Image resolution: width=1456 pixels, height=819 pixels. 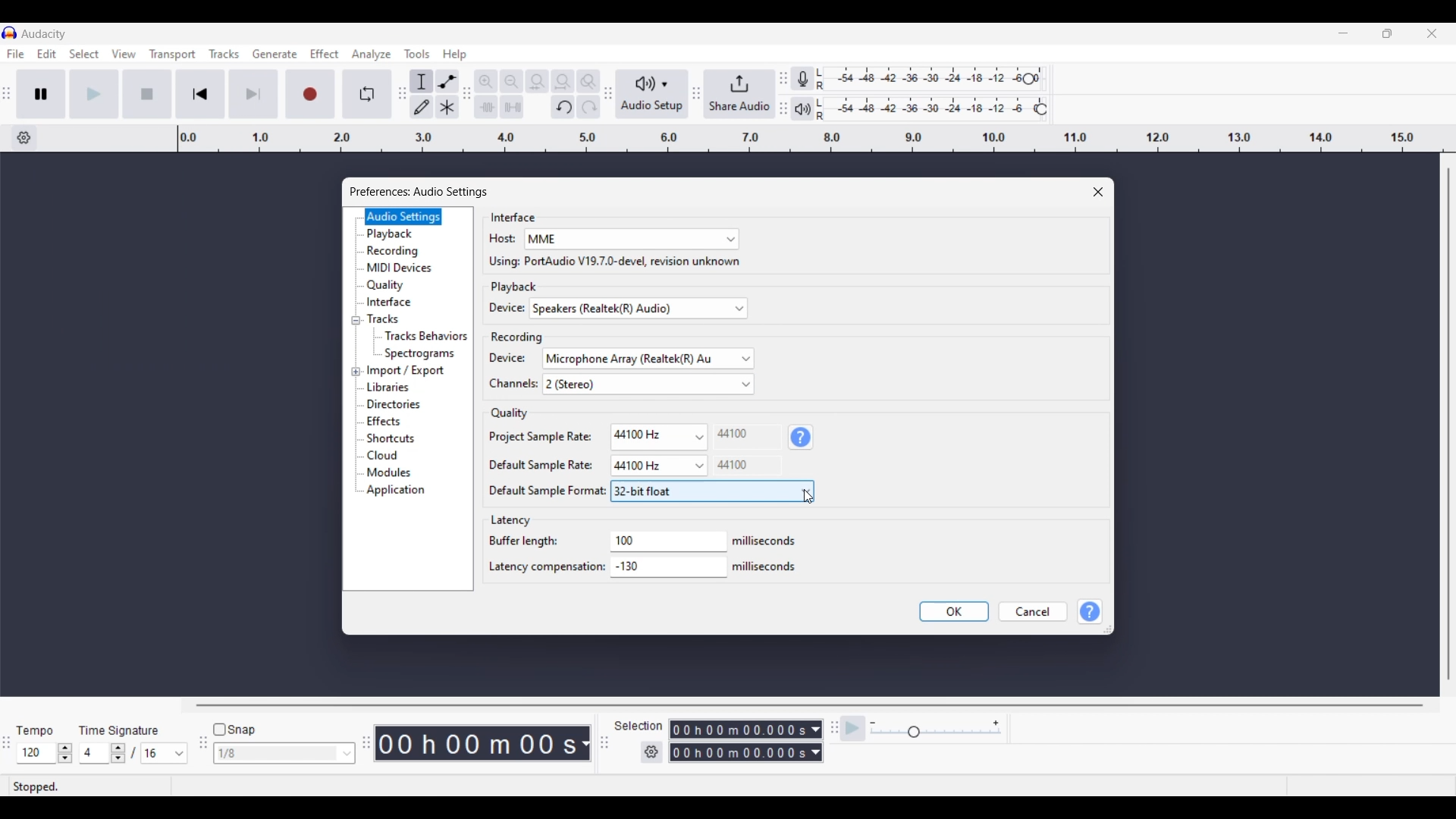 I want to click on Scale to measure audio length, so click(x=817, y=139).